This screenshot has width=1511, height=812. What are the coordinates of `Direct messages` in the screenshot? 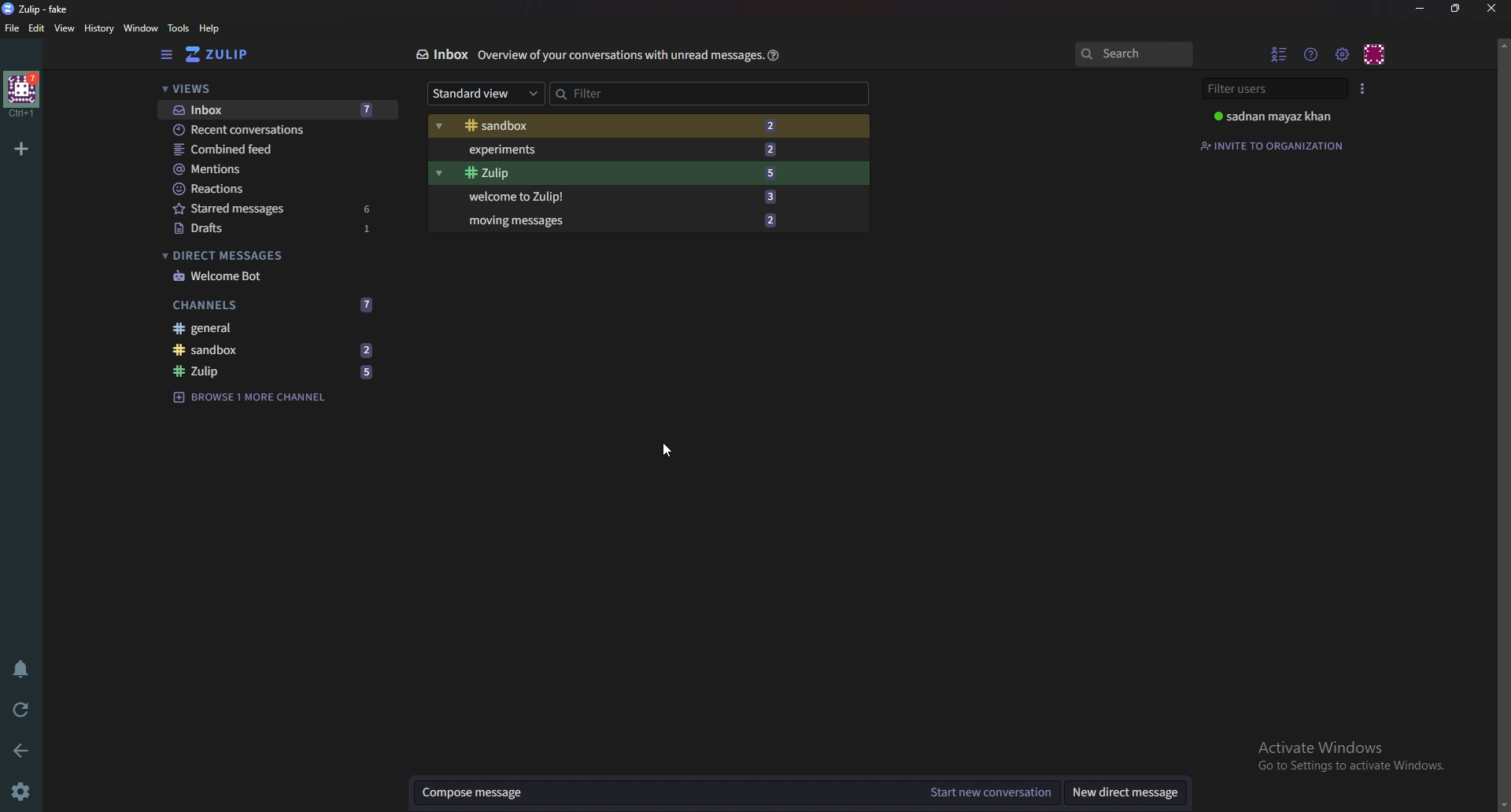 It's located at (269, 254).